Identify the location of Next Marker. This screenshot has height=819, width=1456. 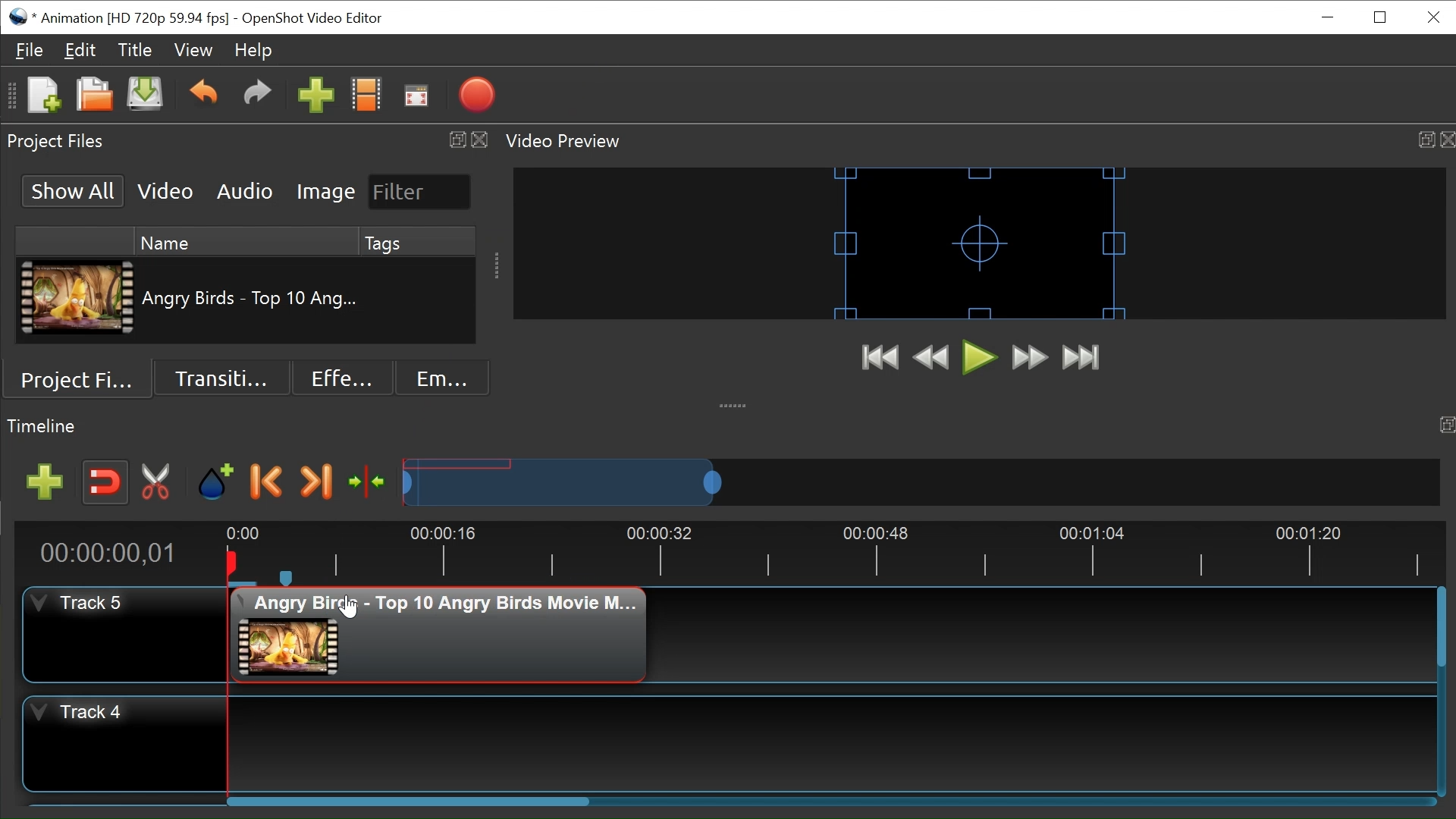
(315, 482).